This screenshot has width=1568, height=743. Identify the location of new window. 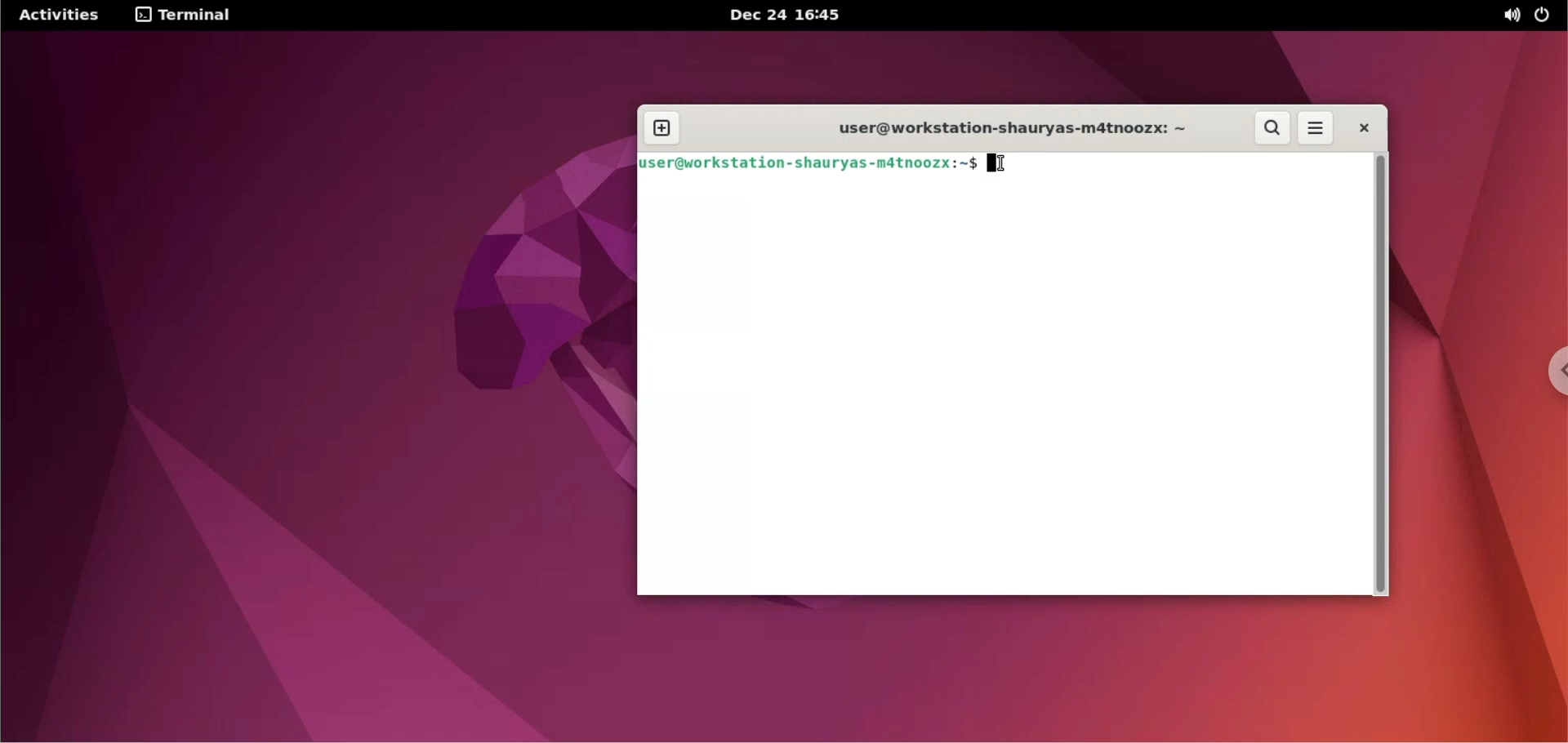
(669, 129).